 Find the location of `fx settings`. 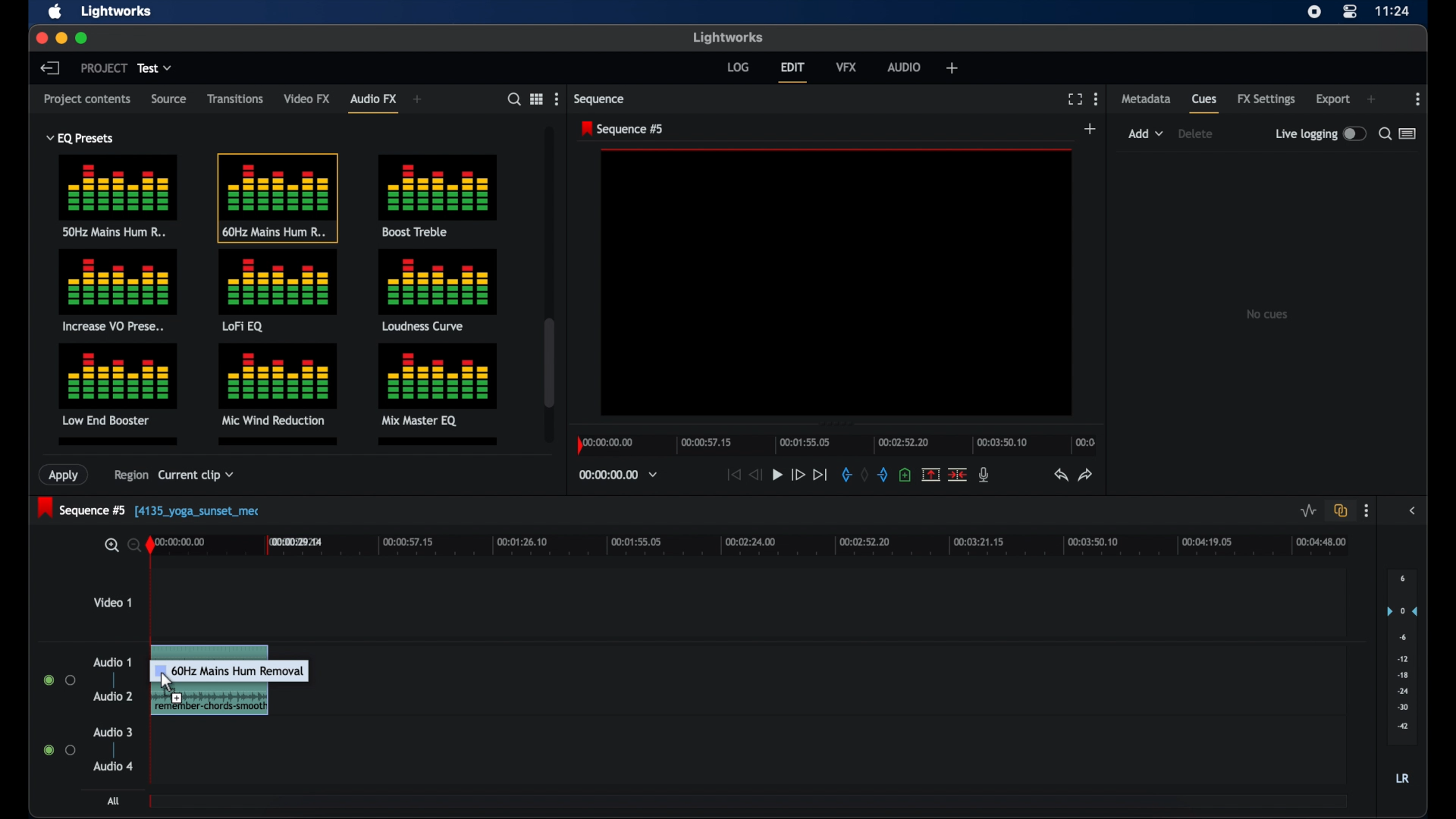

fx settings is located at coordinates (1266, 99).